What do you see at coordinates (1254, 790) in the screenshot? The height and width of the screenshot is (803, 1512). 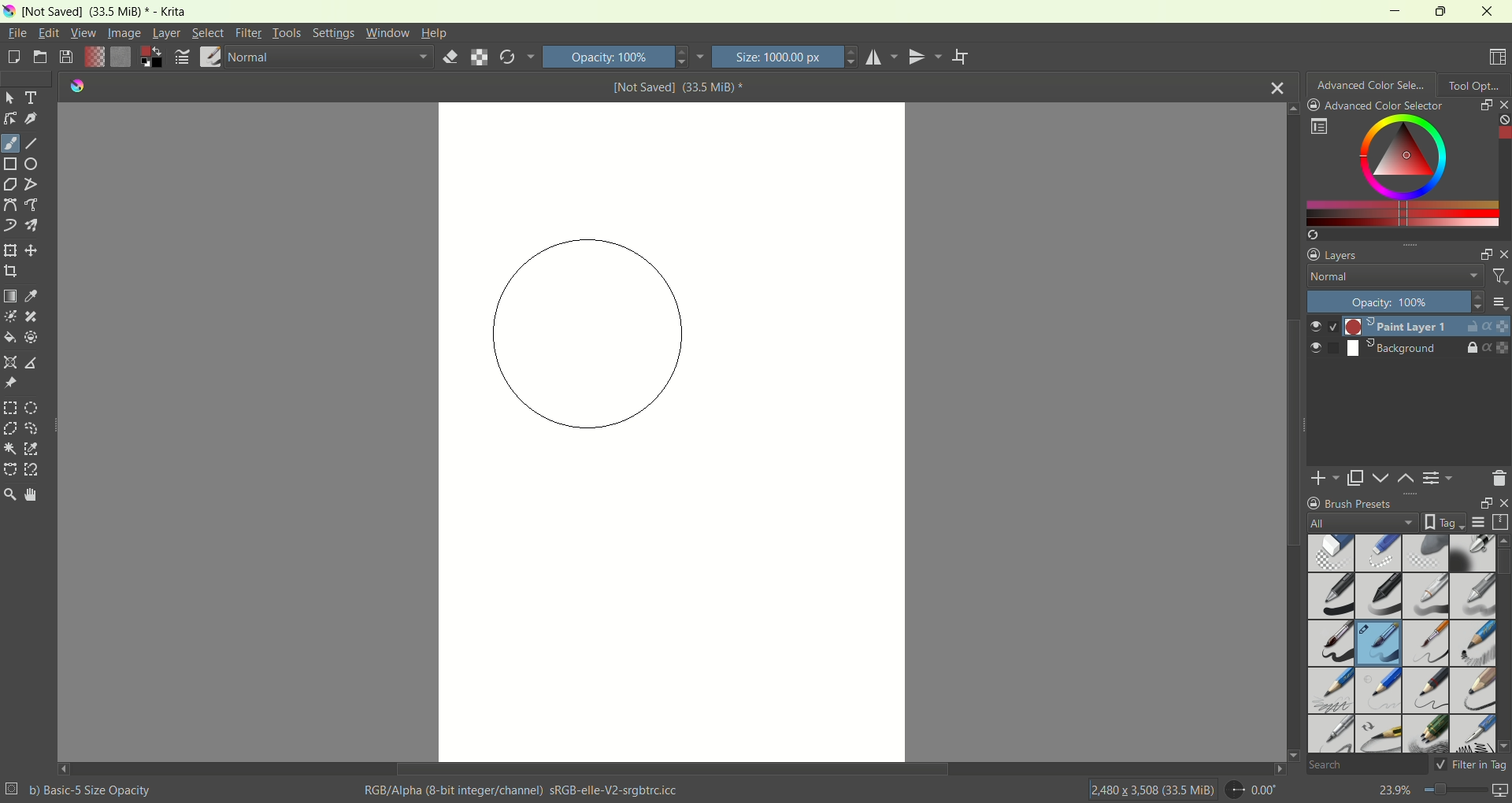 I see `0.00"` at bounding box center [1254, 790].